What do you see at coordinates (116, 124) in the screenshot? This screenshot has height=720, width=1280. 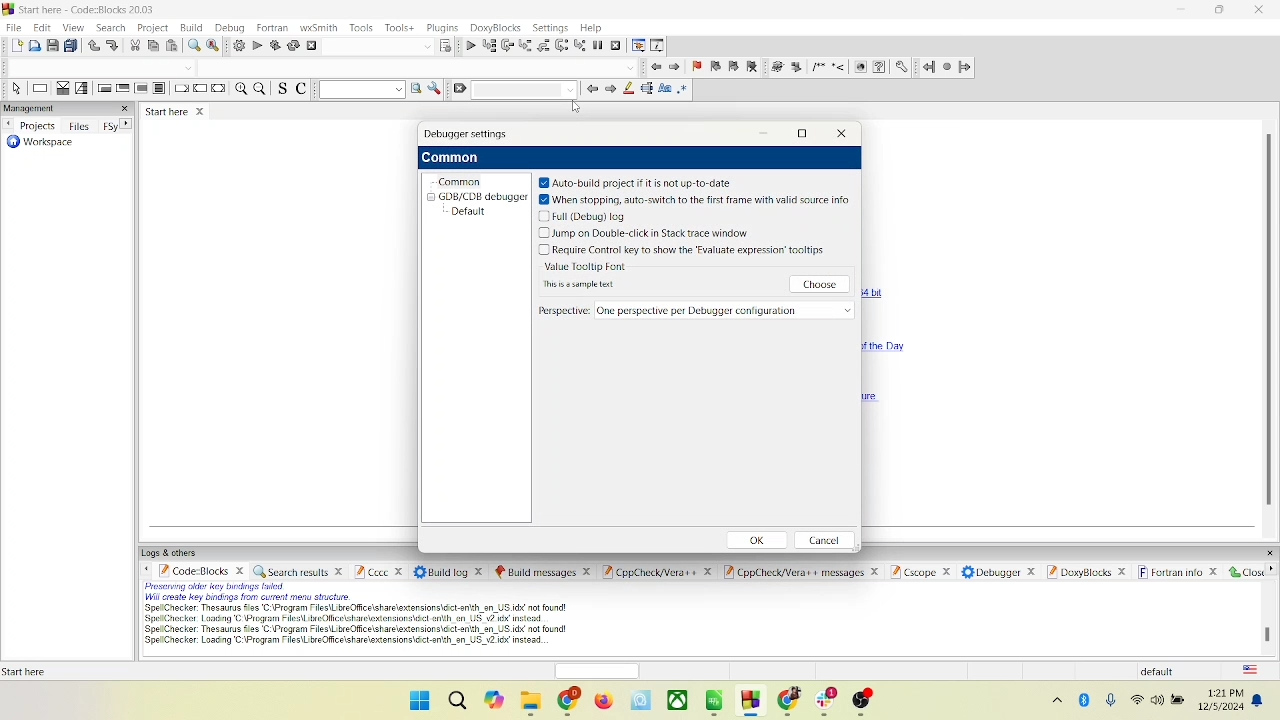 I see `Fsy` at bounding box center [116, 124].